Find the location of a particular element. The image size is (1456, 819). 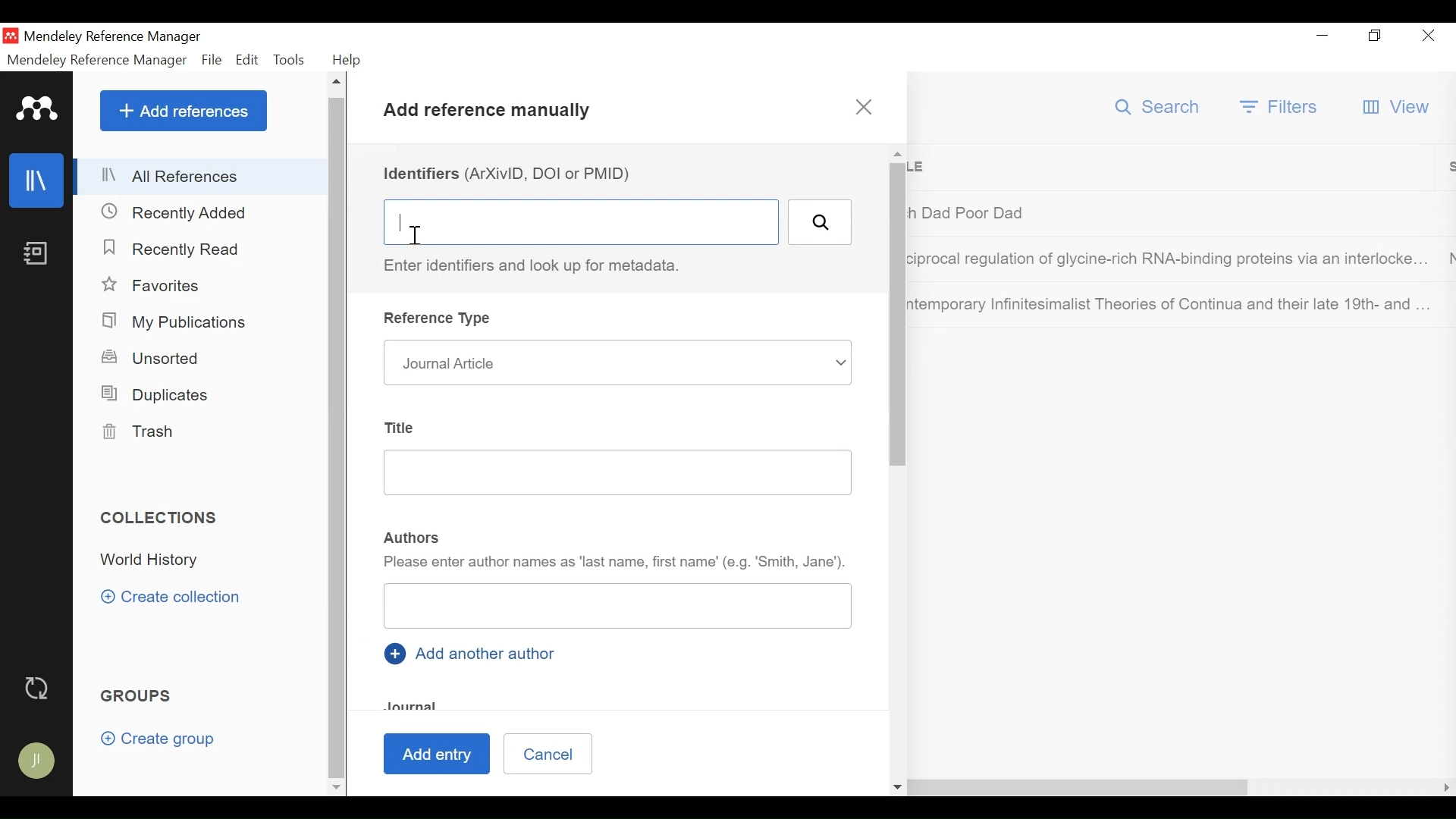

Cancel is located at coordinates (547, 753).